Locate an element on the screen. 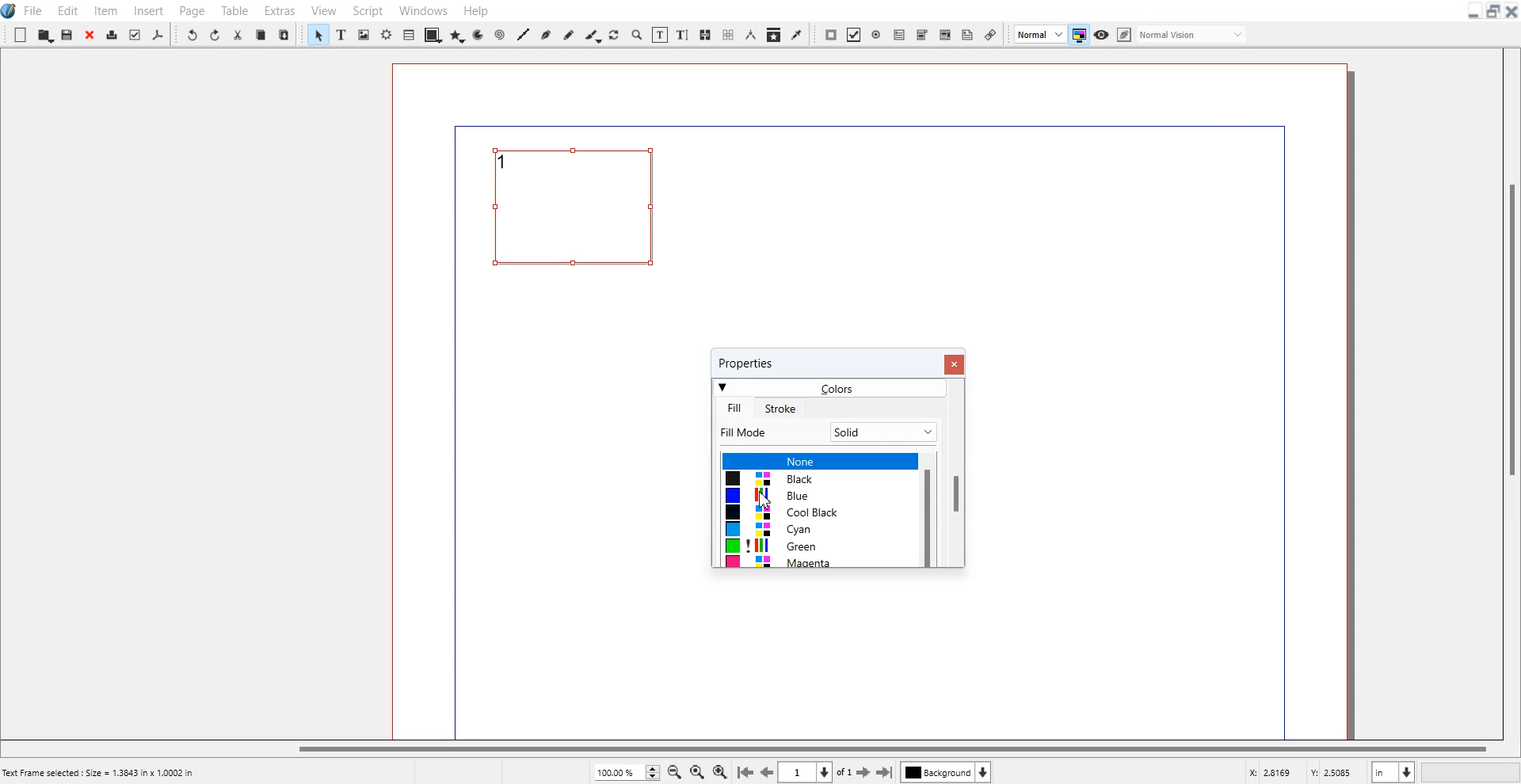  Zoom to 100% is located at coordinates (696, 771).